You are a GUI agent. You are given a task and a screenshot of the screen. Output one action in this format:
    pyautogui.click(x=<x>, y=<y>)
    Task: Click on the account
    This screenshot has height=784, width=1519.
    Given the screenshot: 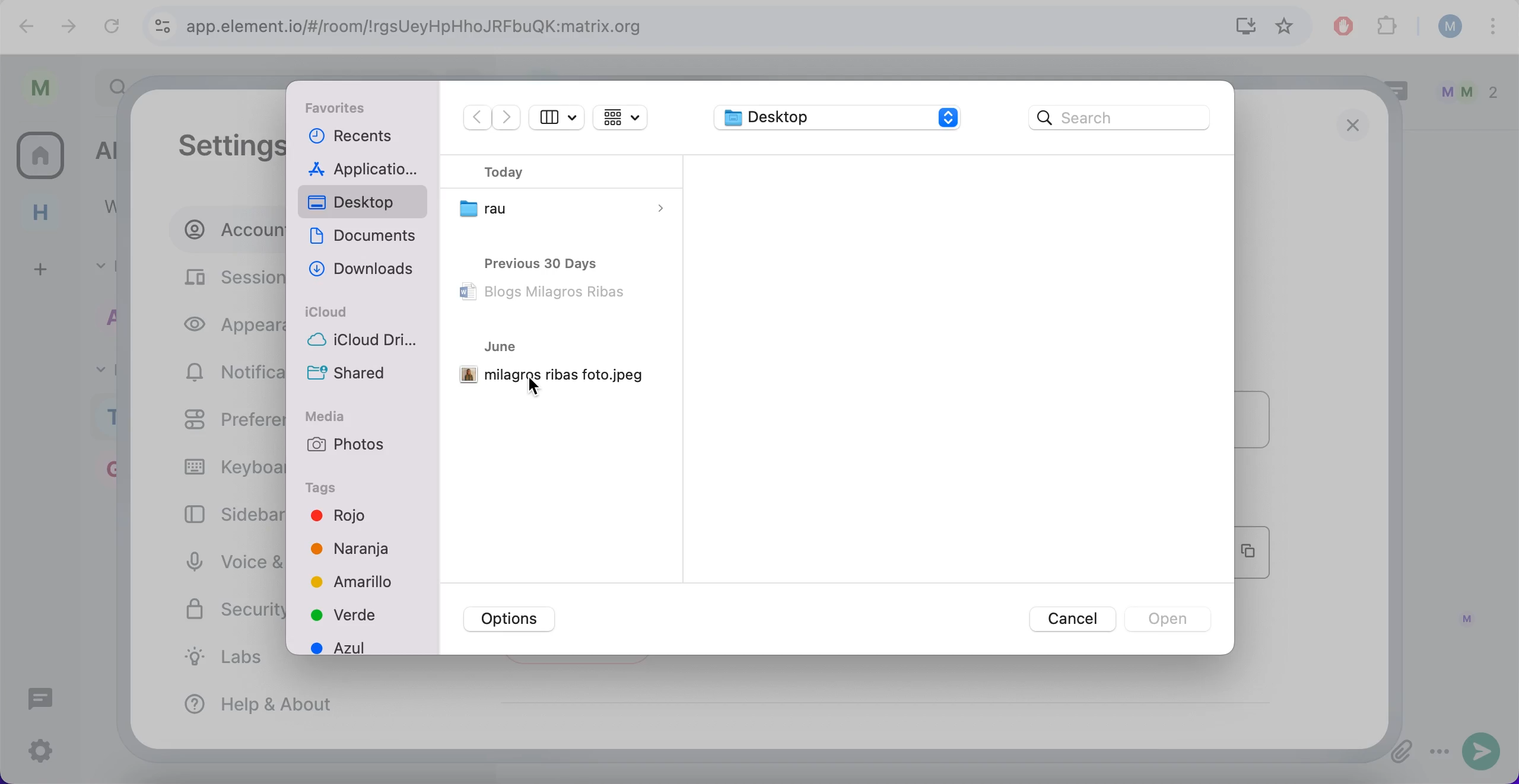 What is the action you would take?
    pyautogui.click(x=217, y=227)
    